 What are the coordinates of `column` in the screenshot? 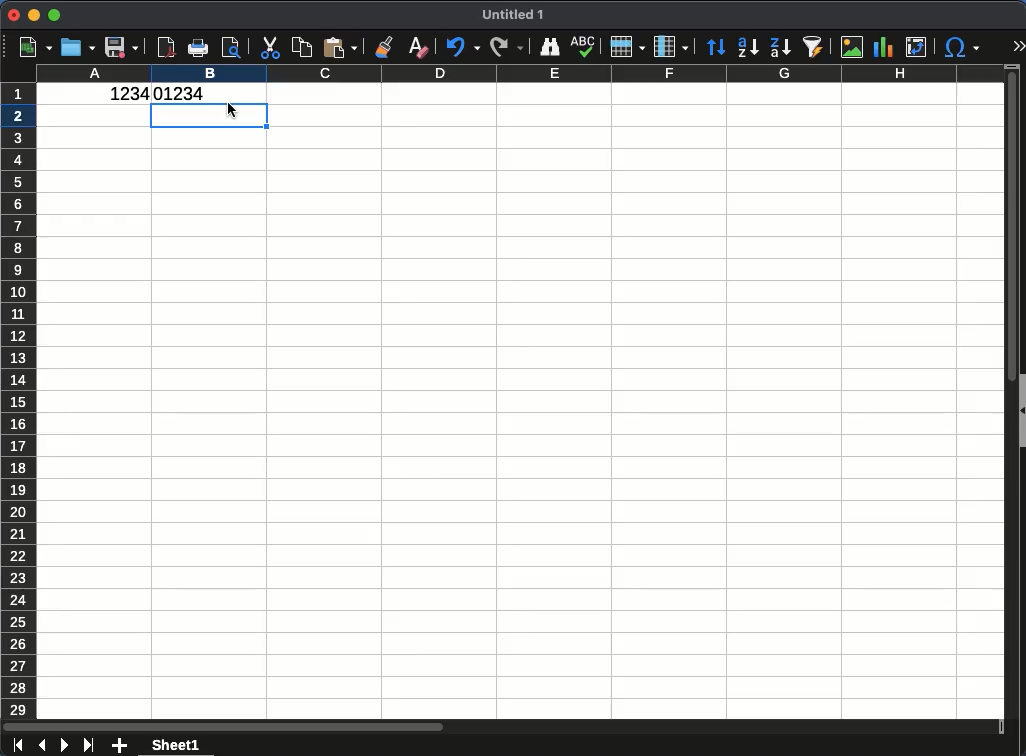 It's located at (669, 47).